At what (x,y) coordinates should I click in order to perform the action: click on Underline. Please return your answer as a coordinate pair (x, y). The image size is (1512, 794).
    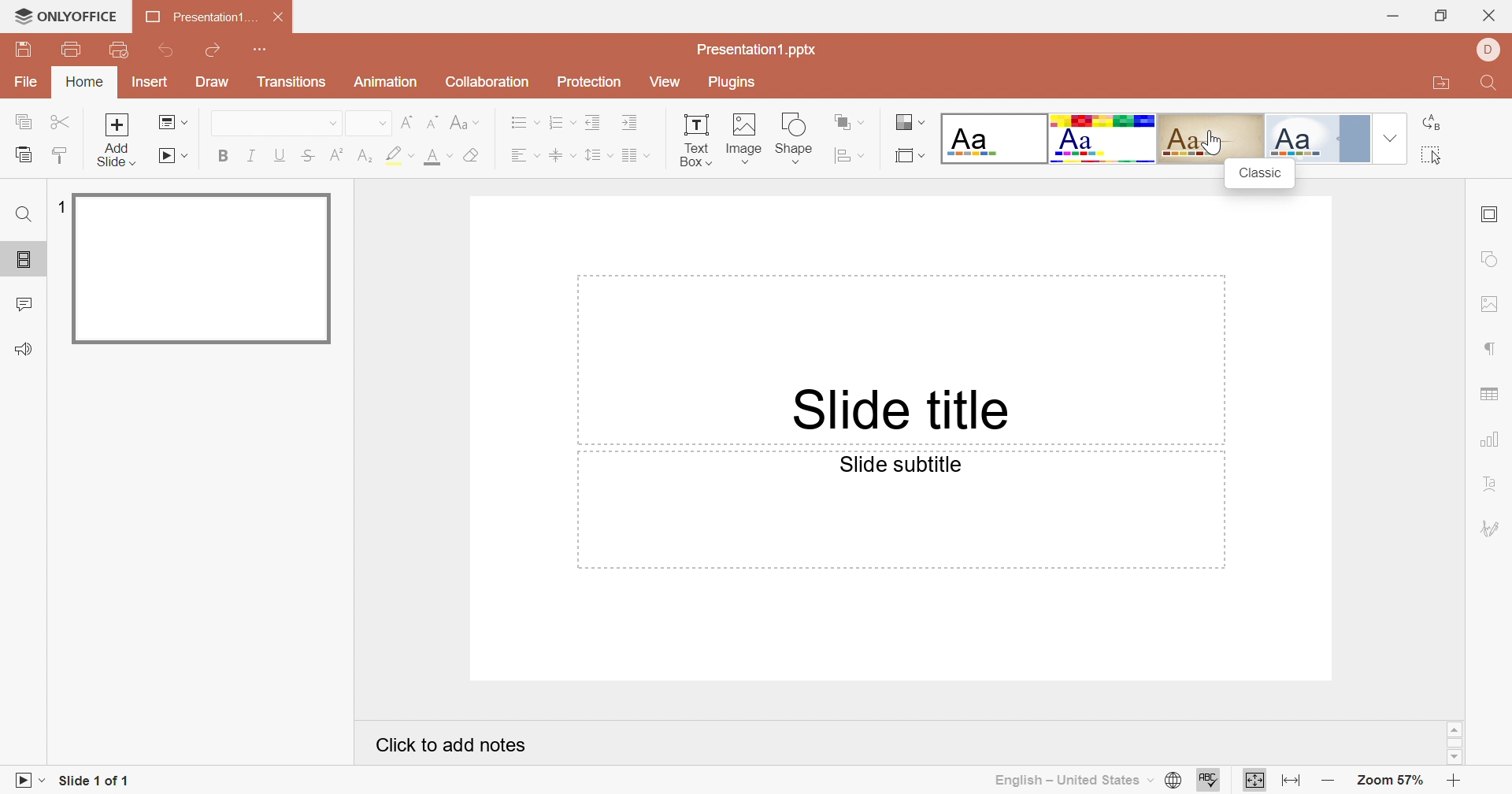
    Looking at the image, I should click on (279, 155).